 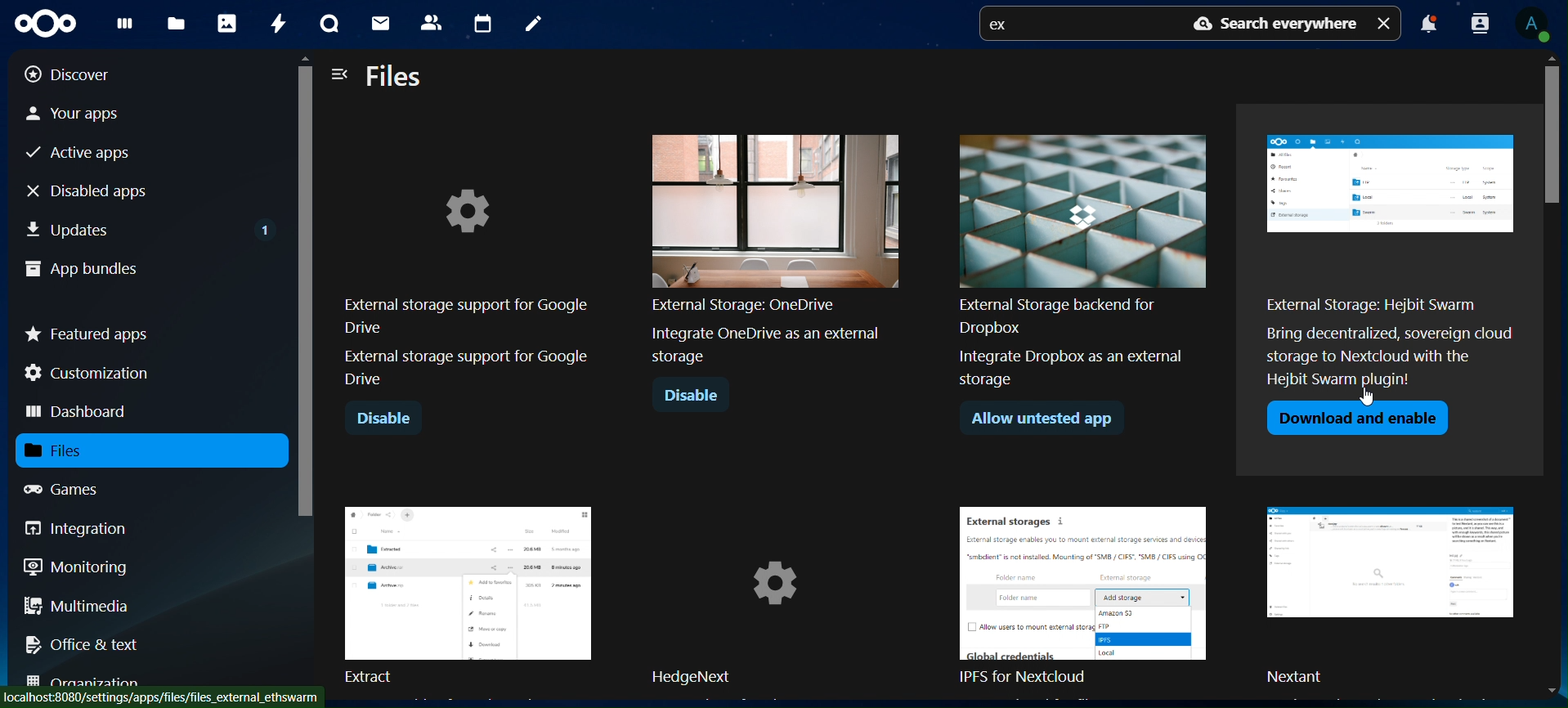 What do you see at coordinates (79, 413) in the screenshot?
I see `dashboard` at bounding box center [79, 413].